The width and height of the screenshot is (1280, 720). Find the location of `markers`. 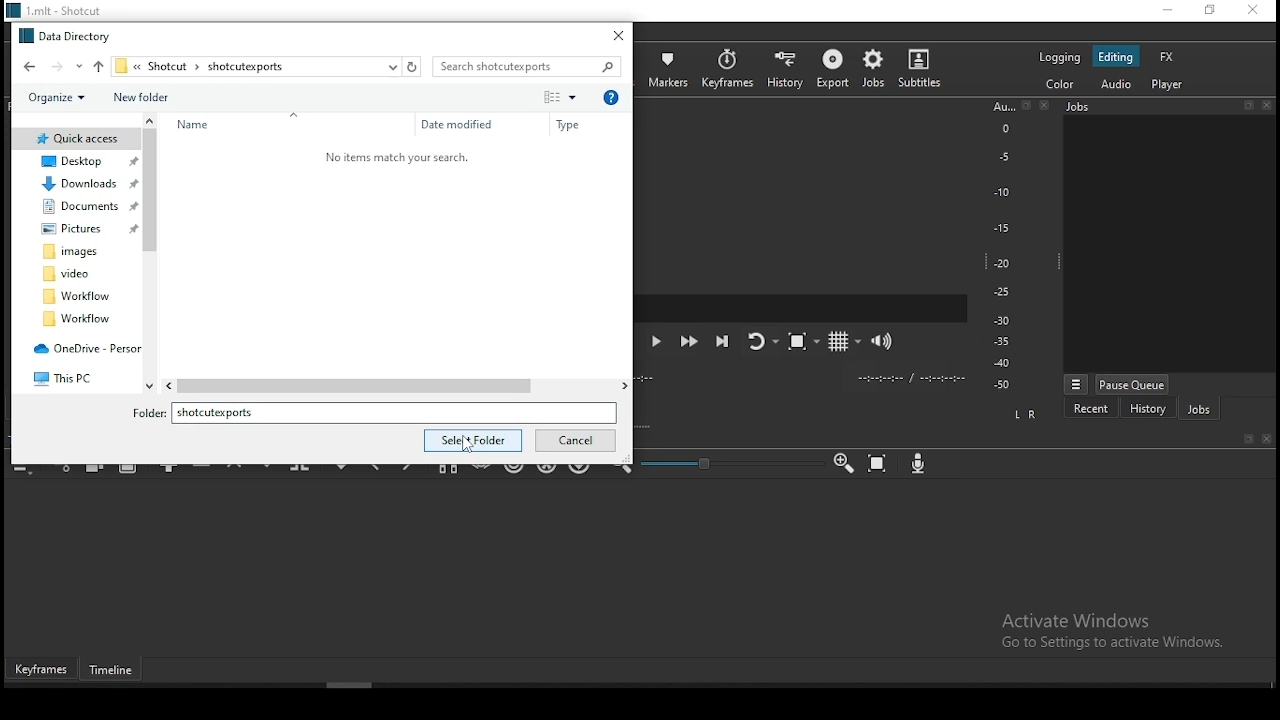

markers is located at coordinates (671, 69).